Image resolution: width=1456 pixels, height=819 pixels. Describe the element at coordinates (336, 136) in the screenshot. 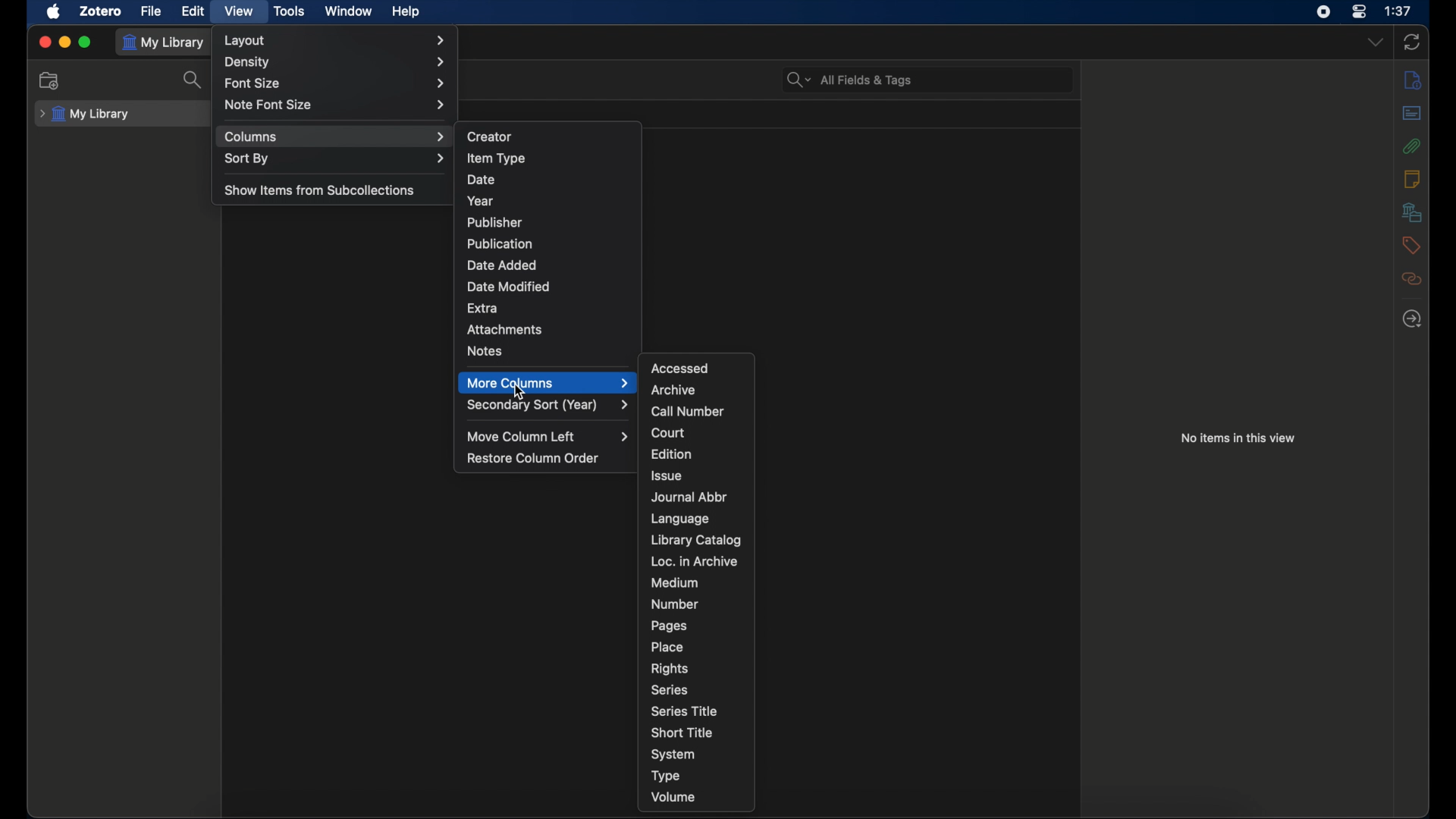

I see `columns` at that location.